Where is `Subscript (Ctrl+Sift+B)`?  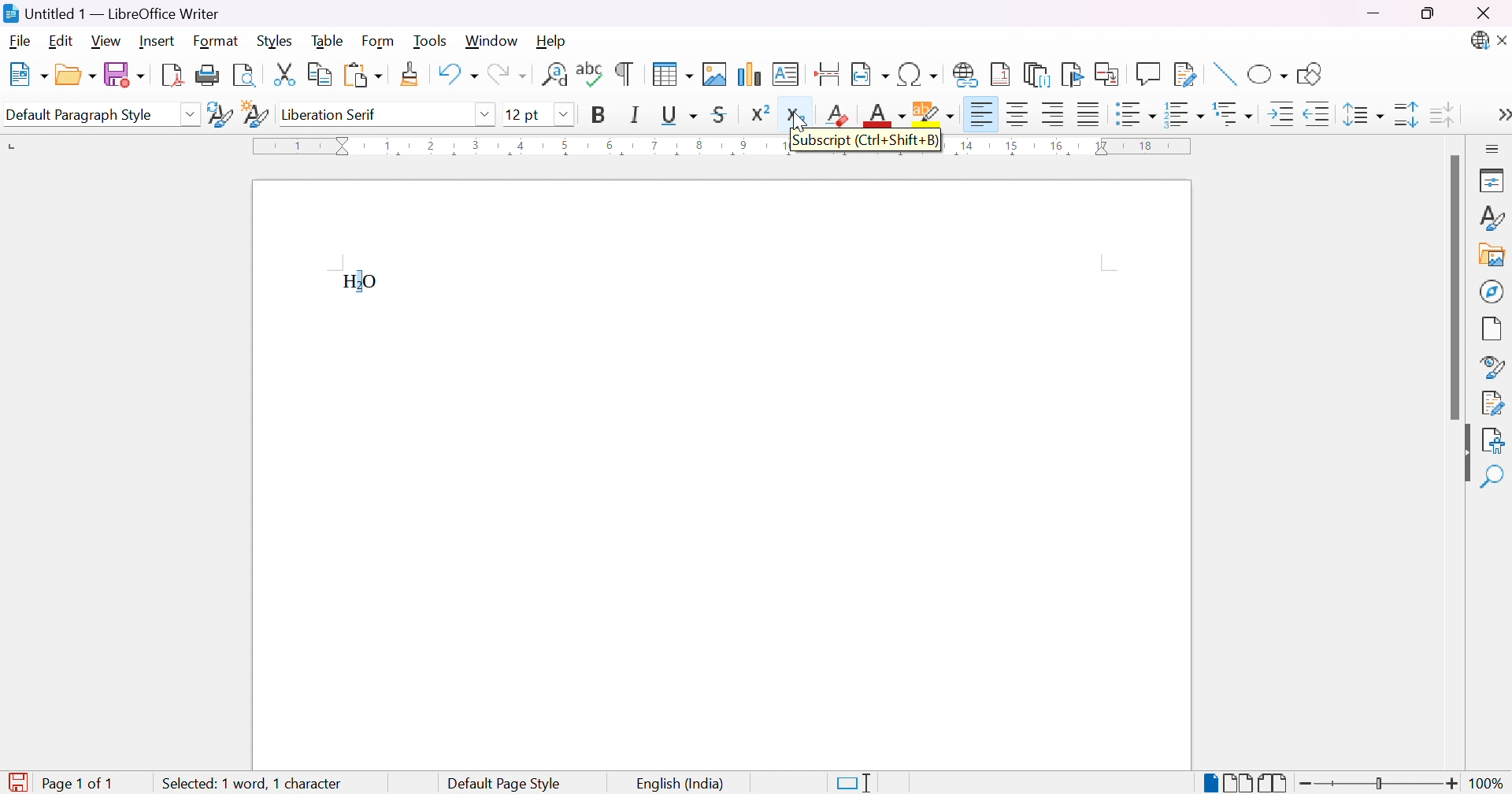 Subscript (Ctrl+Sift+B) is located at coordinates (865, 143).